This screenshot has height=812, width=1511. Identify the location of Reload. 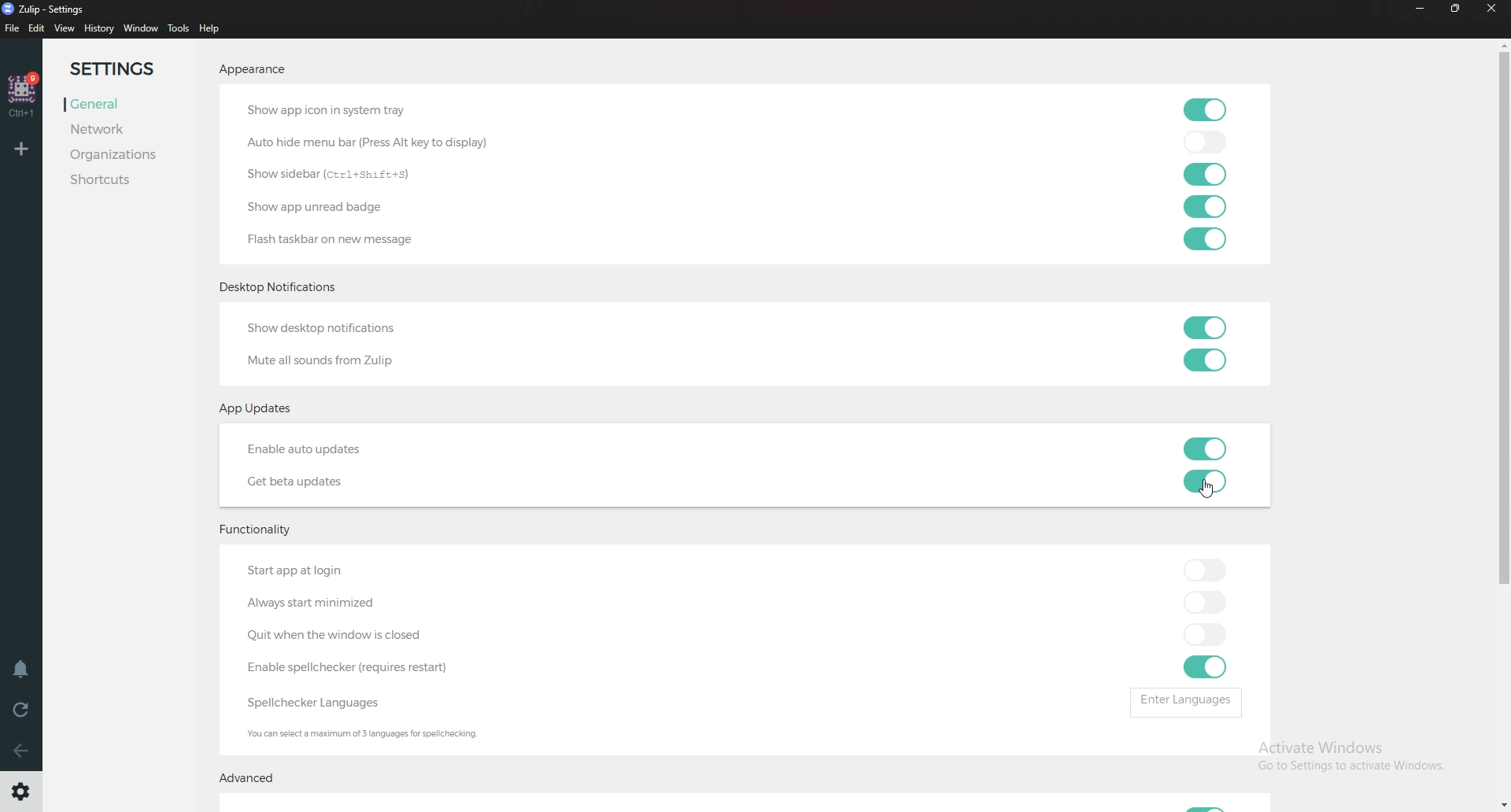
(19, 710).